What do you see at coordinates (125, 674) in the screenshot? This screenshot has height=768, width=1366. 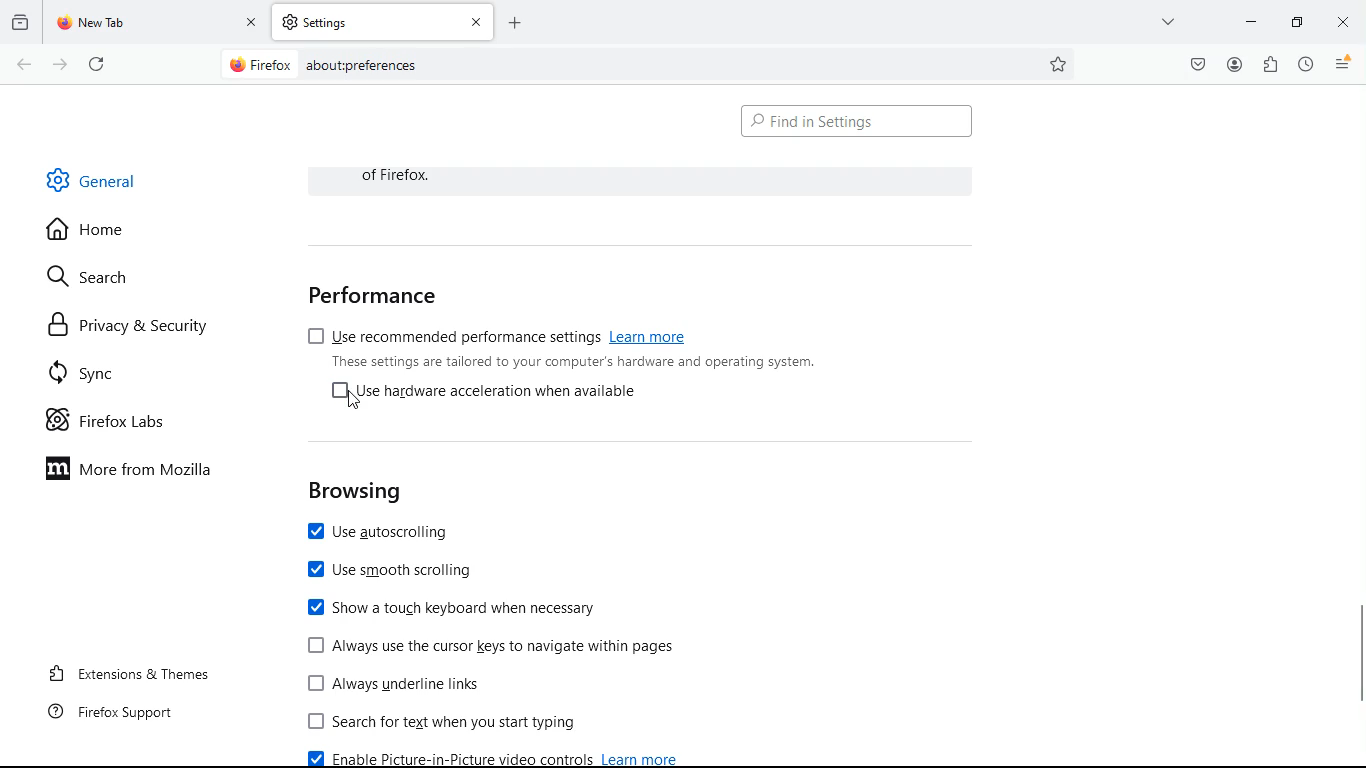 I see `extensions & themes` at bounding box center [125, 674].